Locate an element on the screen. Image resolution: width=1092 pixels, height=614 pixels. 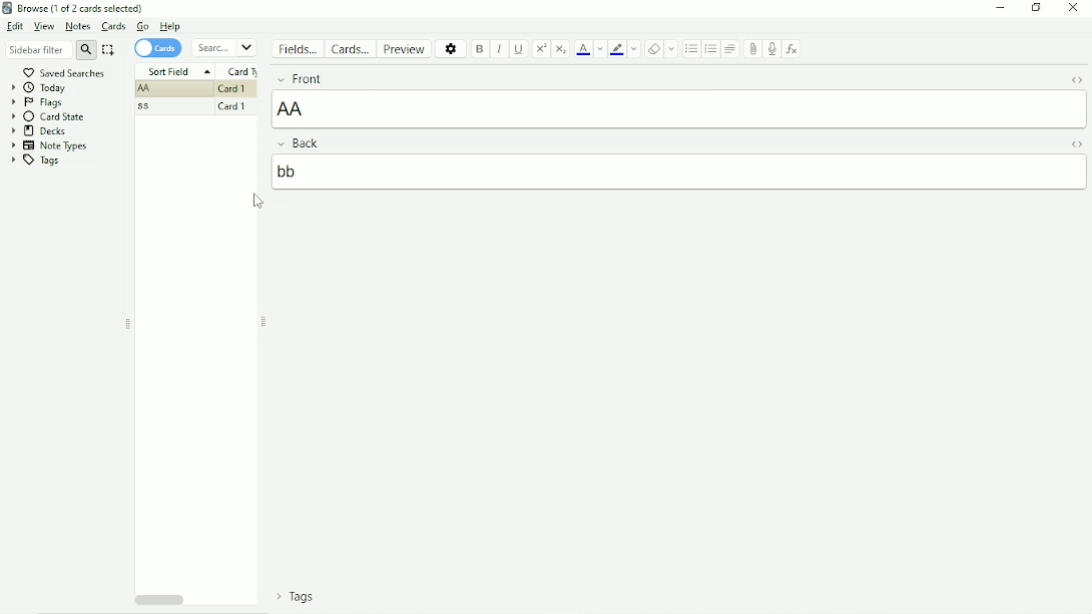
Saved searches is located at coordinates (60, 71).